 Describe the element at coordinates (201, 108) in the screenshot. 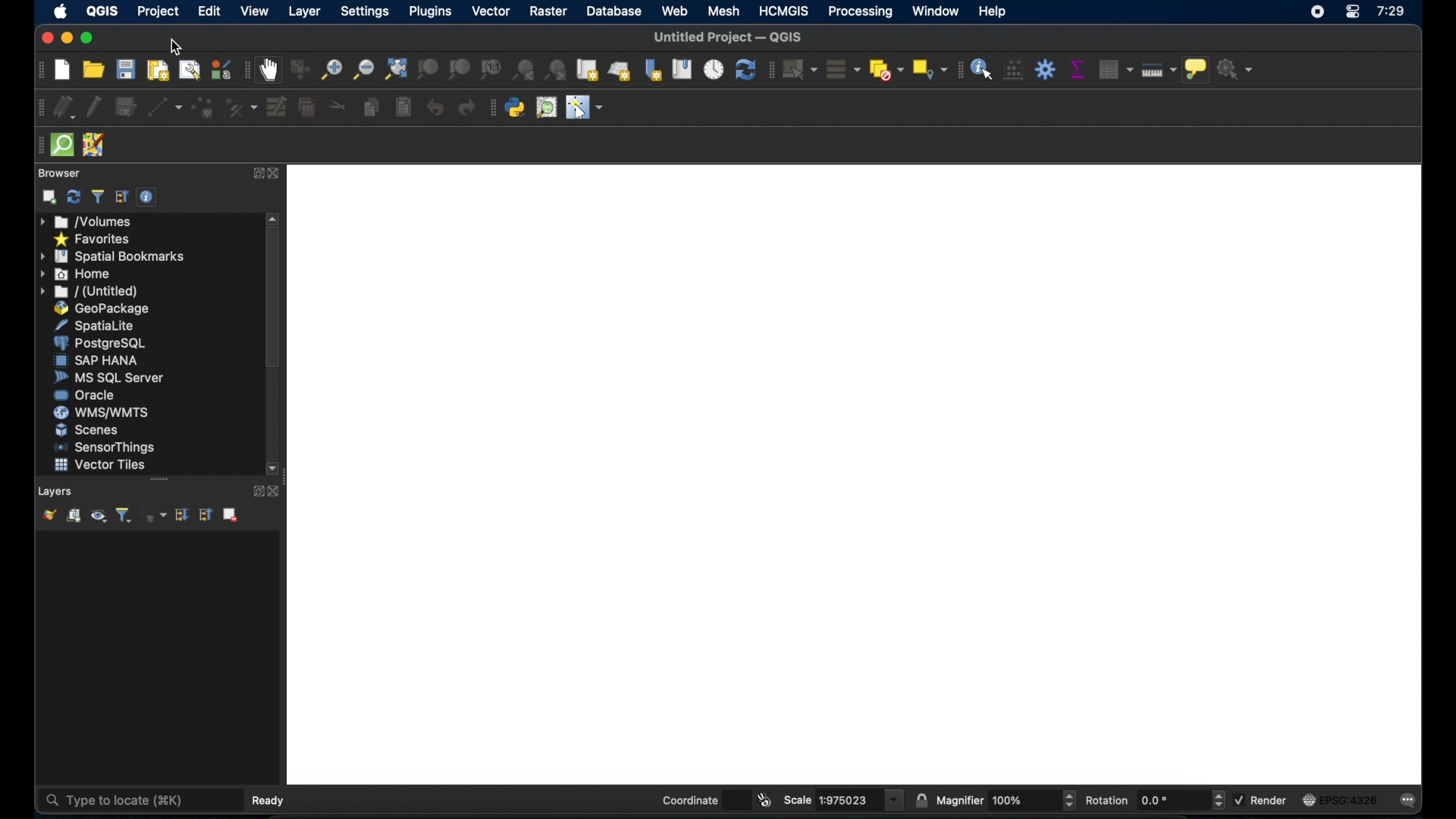

I see `add point feature` at that location.